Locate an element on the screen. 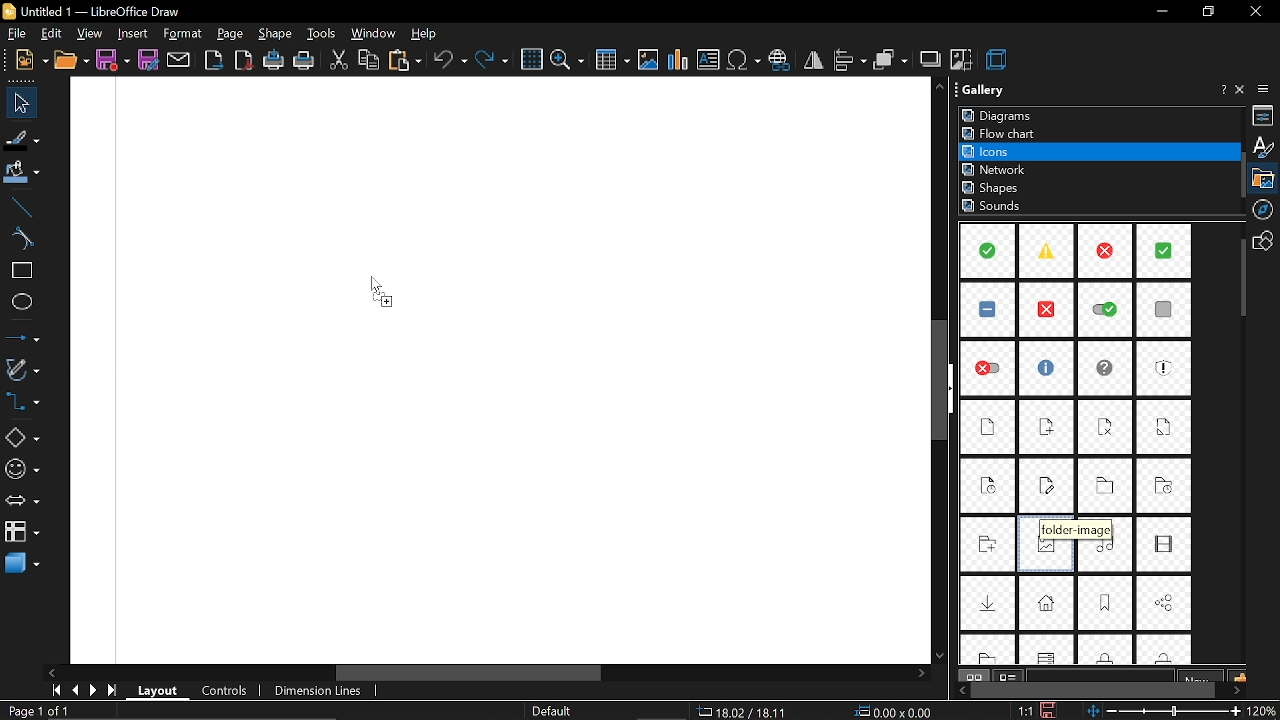 The image size is (1280, 720). move left is located at coordinates (958, 690).